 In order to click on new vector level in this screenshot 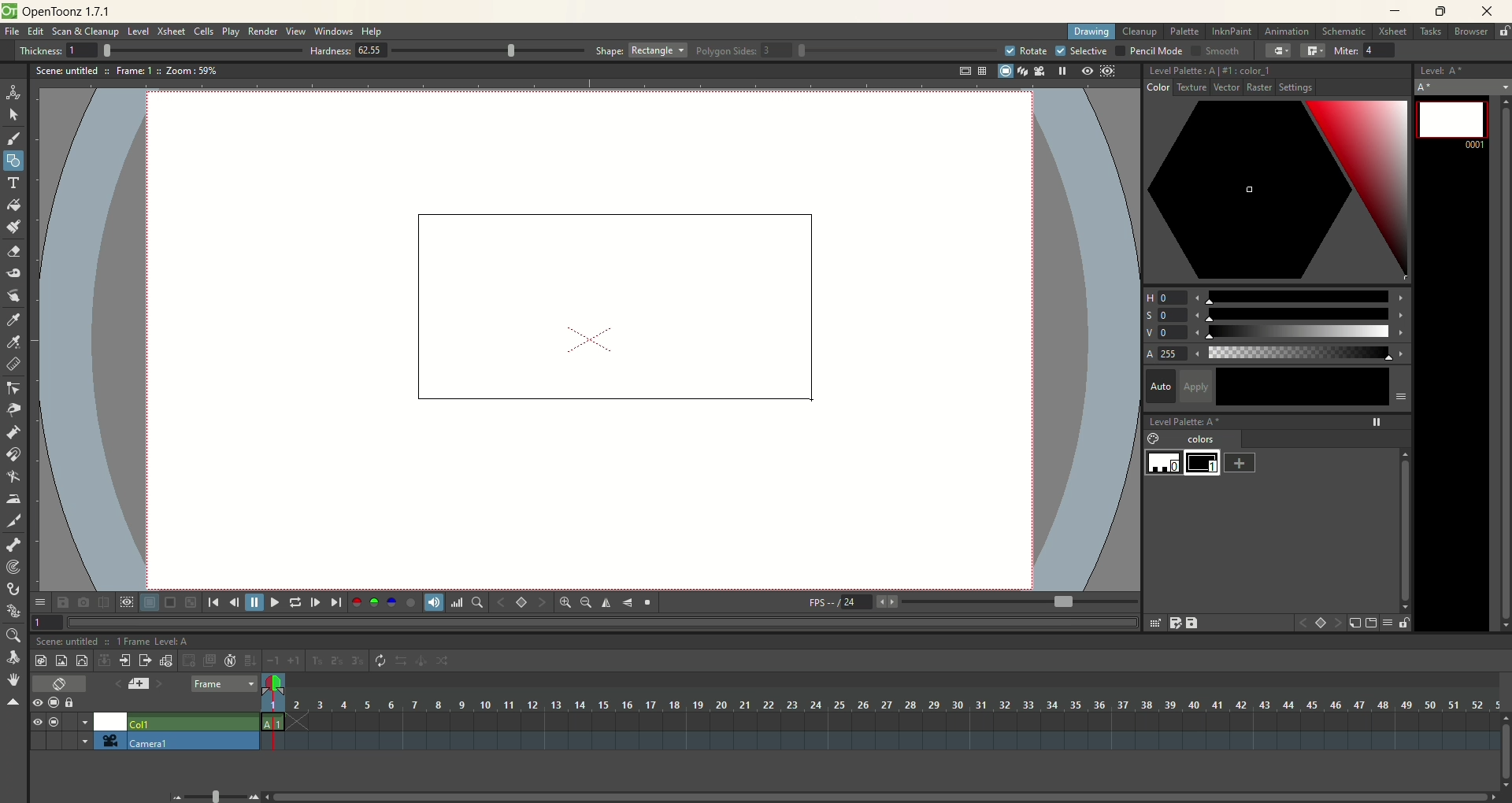, I will do `click(82, 661)`.